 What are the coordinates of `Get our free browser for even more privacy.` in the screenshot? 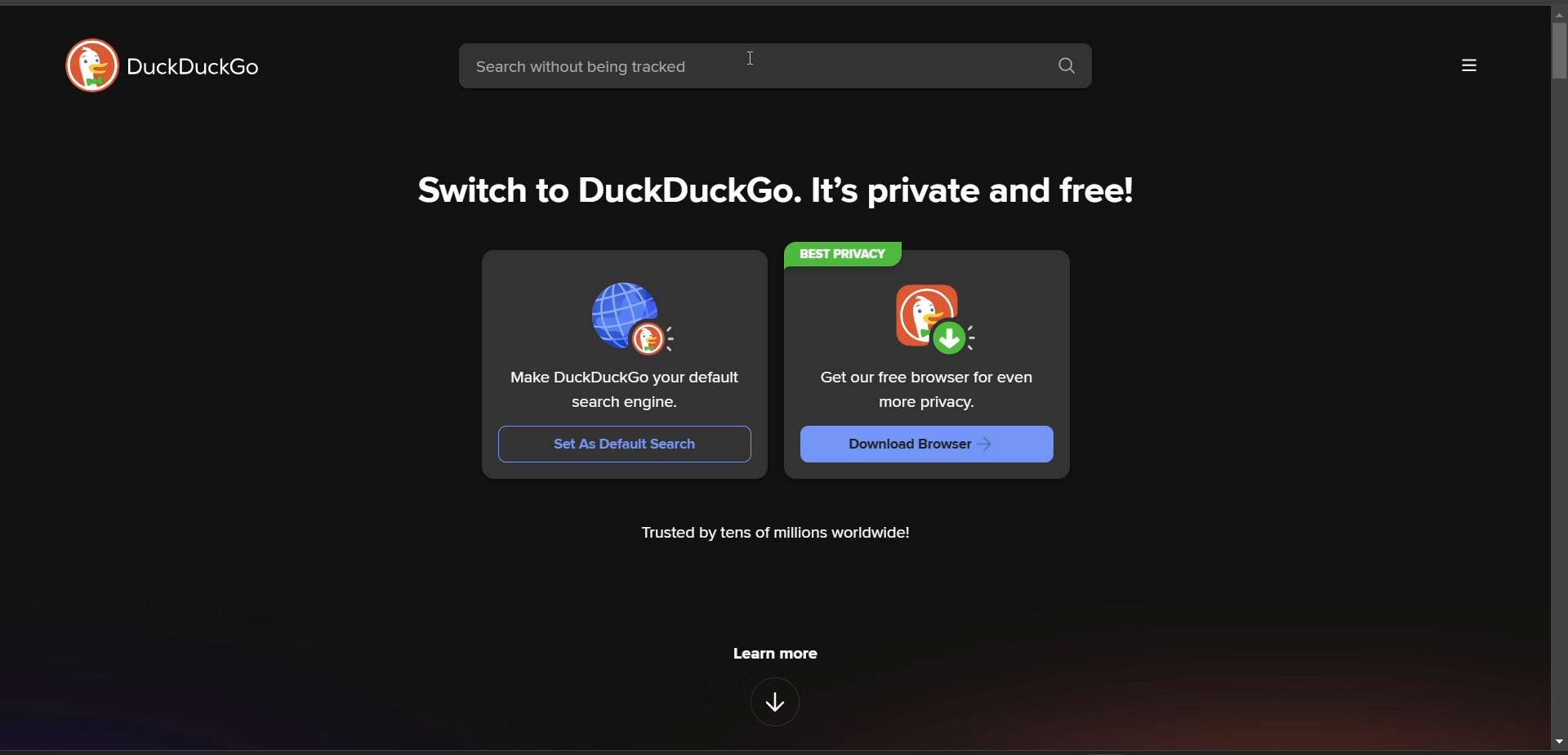 It's located at (926, 391).